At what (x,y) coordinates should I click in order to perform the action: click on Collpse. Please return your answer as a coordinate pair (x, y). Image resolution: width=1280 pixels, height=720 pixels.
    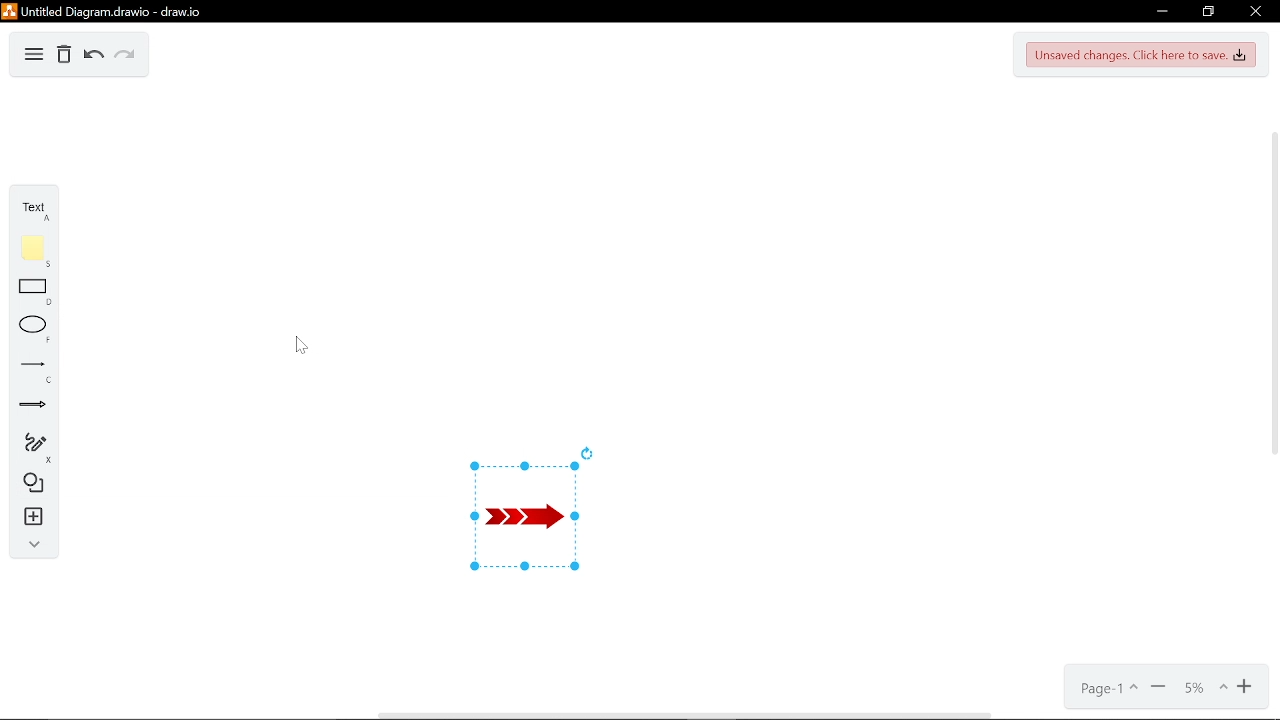
    Looking at the image, I should click on (30, 544).